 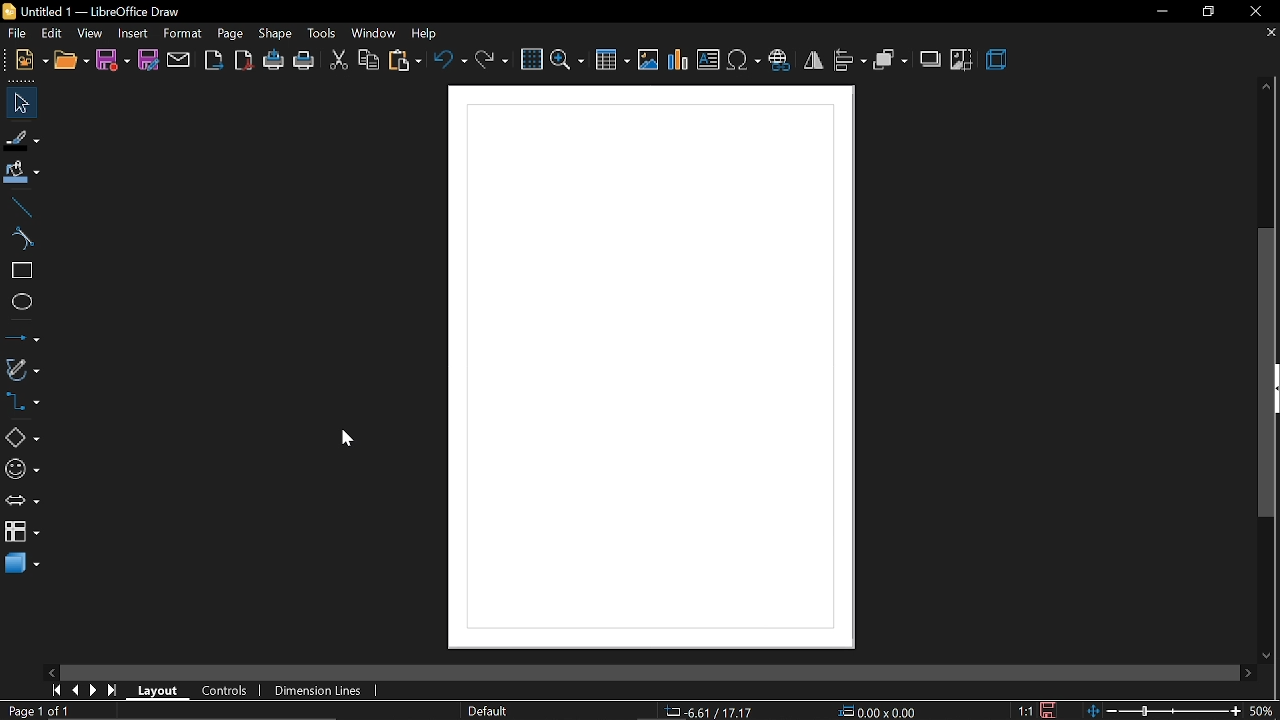 What do you see at coordinates (492, 711) in the screenshot?
I see `Defaul - page style` at bounding box center [492, 711].